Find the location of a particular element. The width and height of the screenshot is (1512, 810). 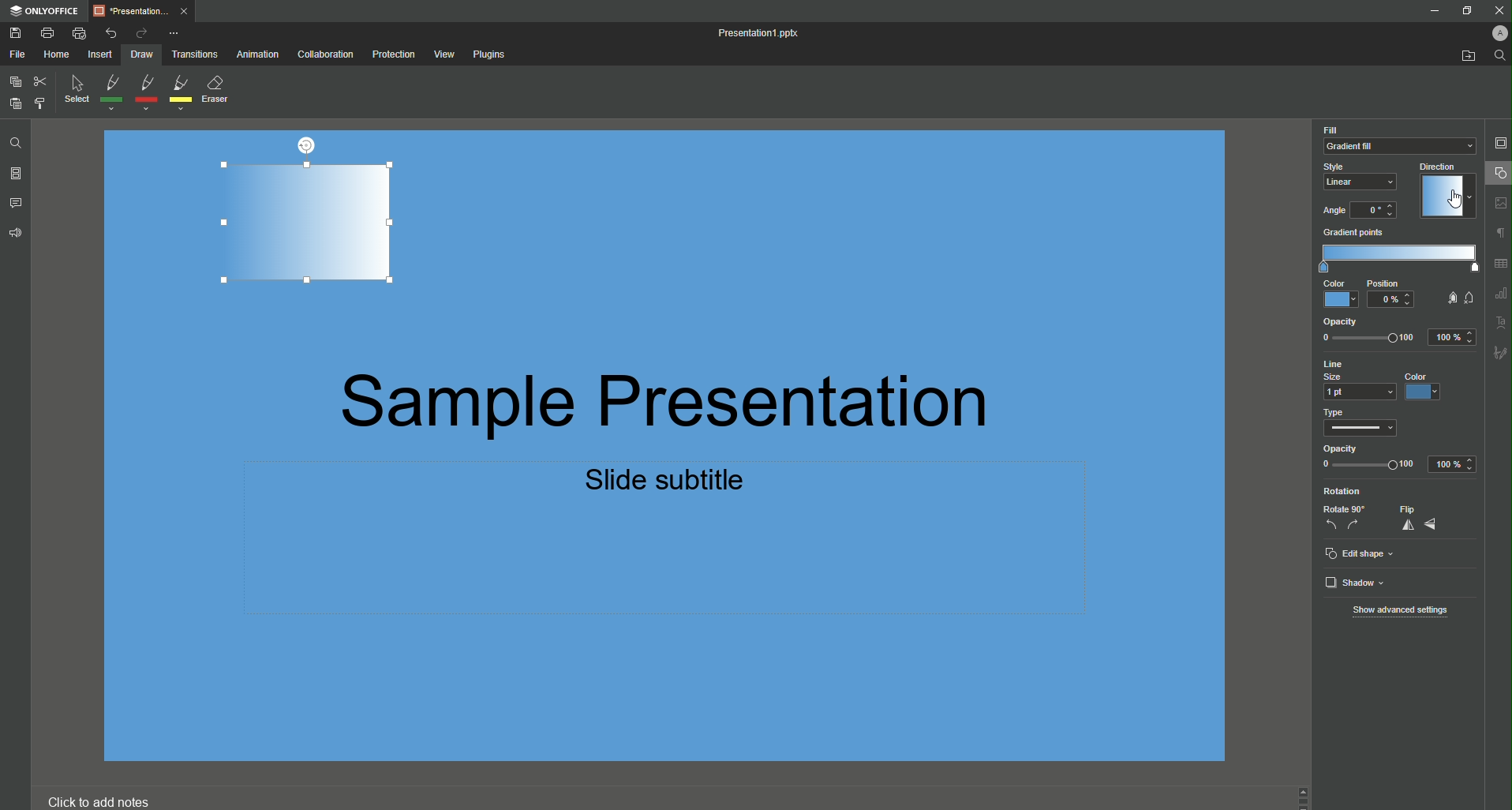

Presentation Text is located at coordinates (732, 434).